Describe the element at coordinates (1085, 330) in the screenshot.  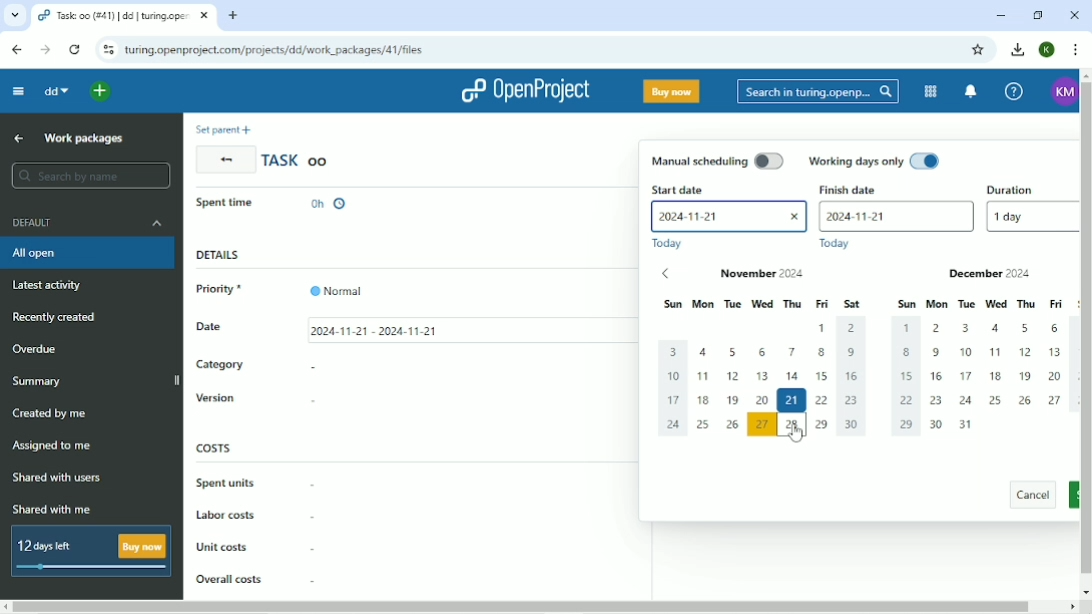
I see `Vertical scrollbar` at that location.